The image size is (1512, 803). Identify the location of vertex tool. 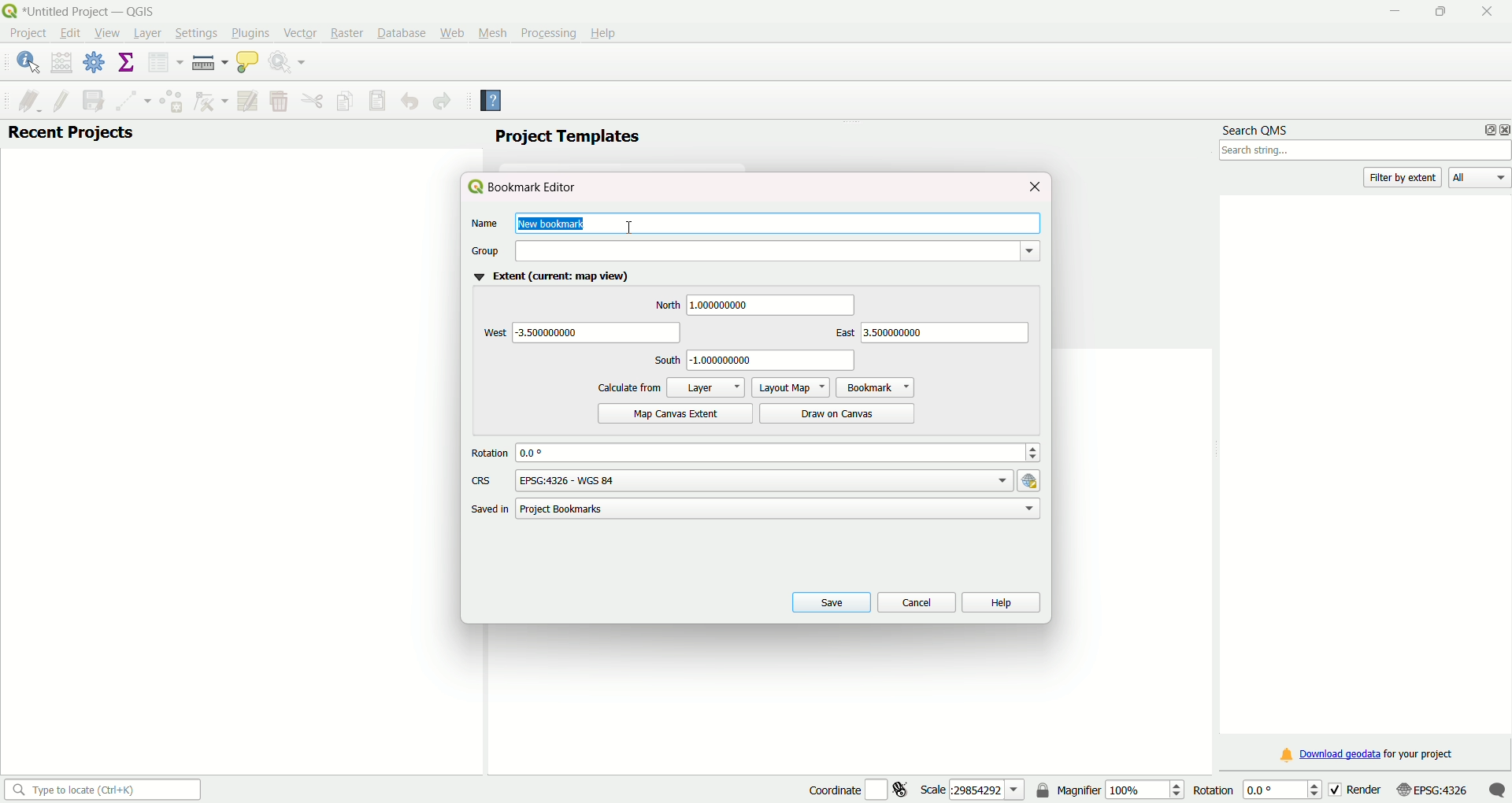
(209, 102).